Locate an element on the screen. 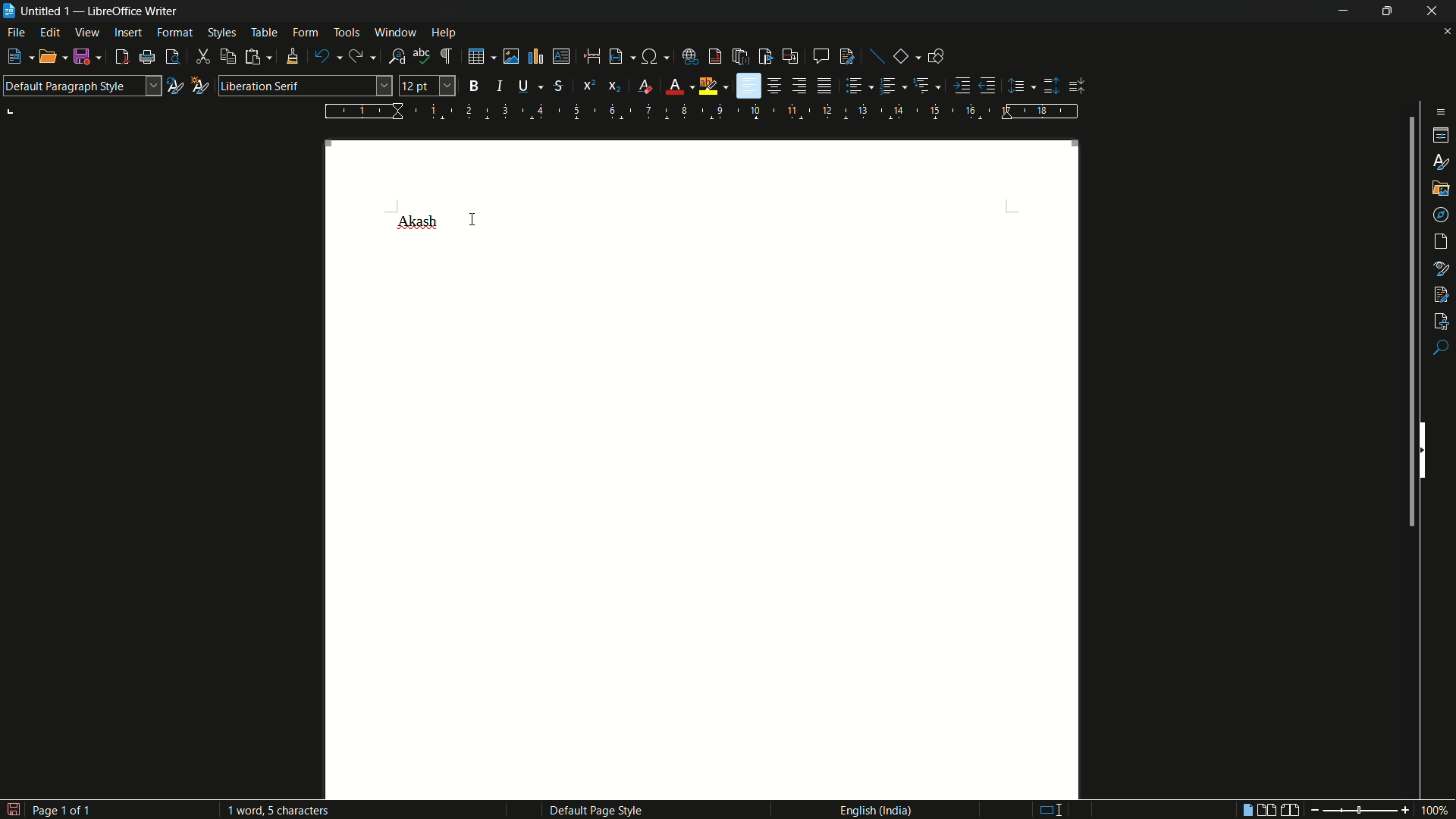  increase indentation is located at coordinates (964, 85).